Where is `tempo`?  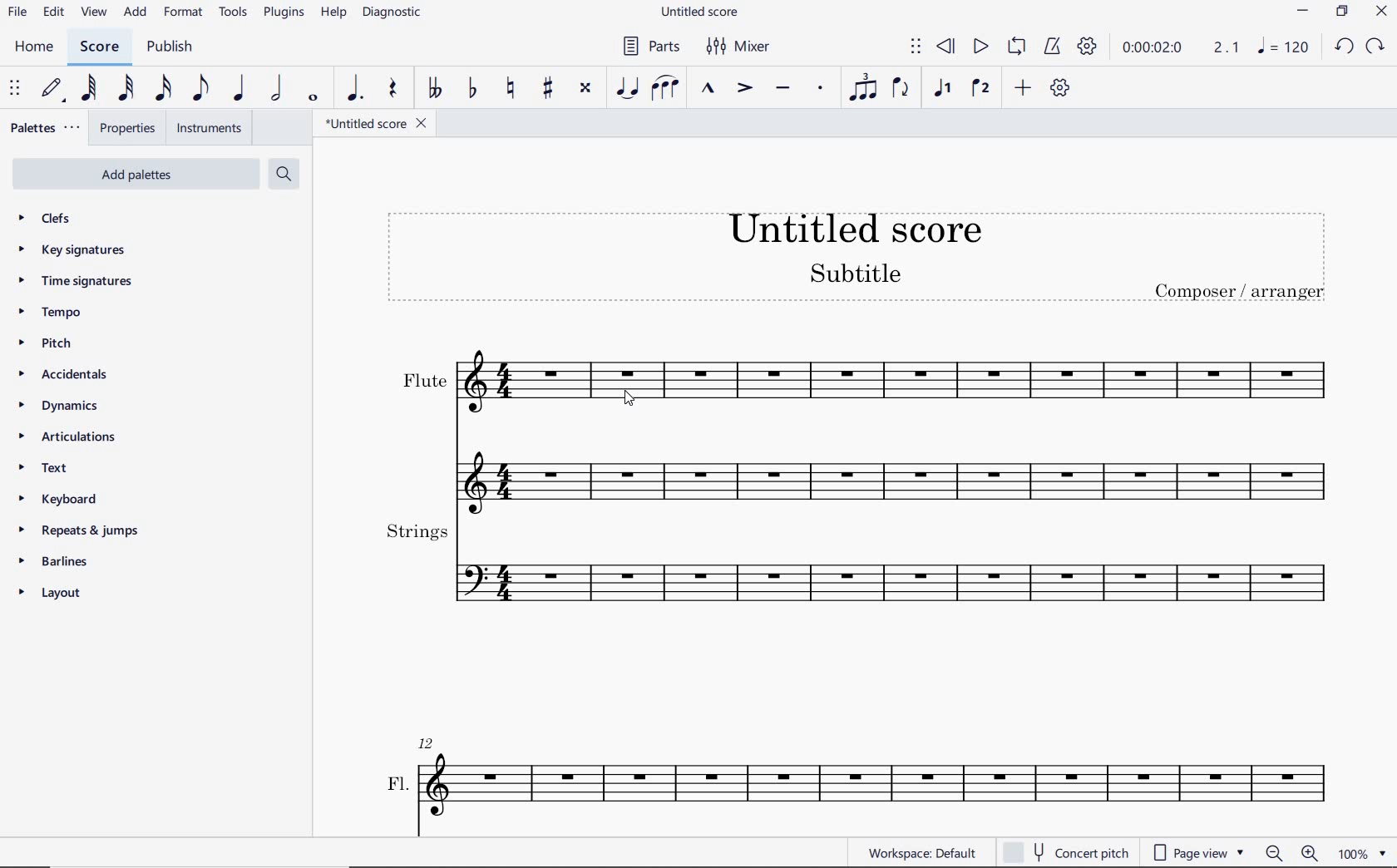 tempo is located at coordinates (53, 313).